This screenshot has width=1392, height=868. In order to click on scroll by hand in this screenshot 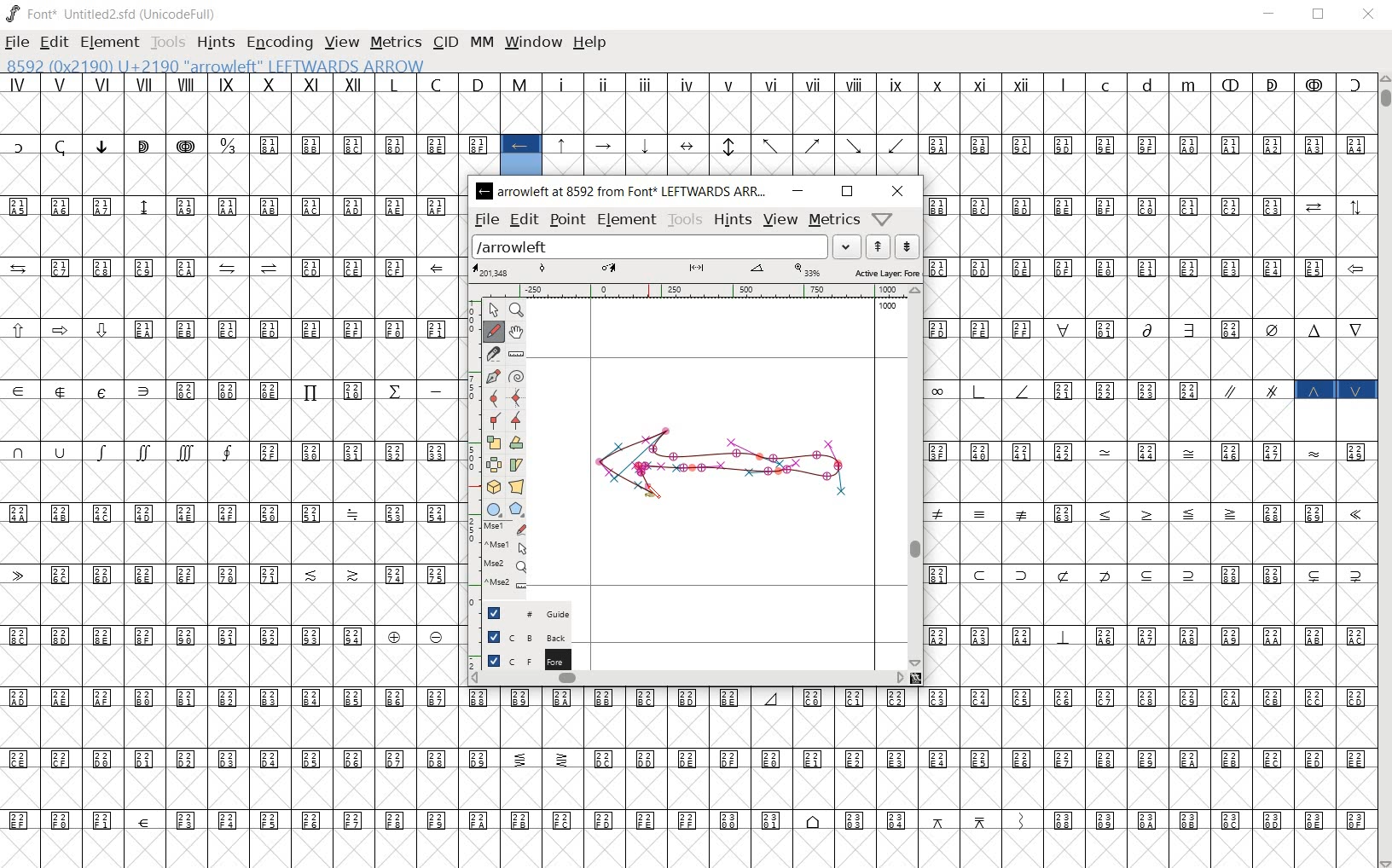, I will do `click(517, 333)`.